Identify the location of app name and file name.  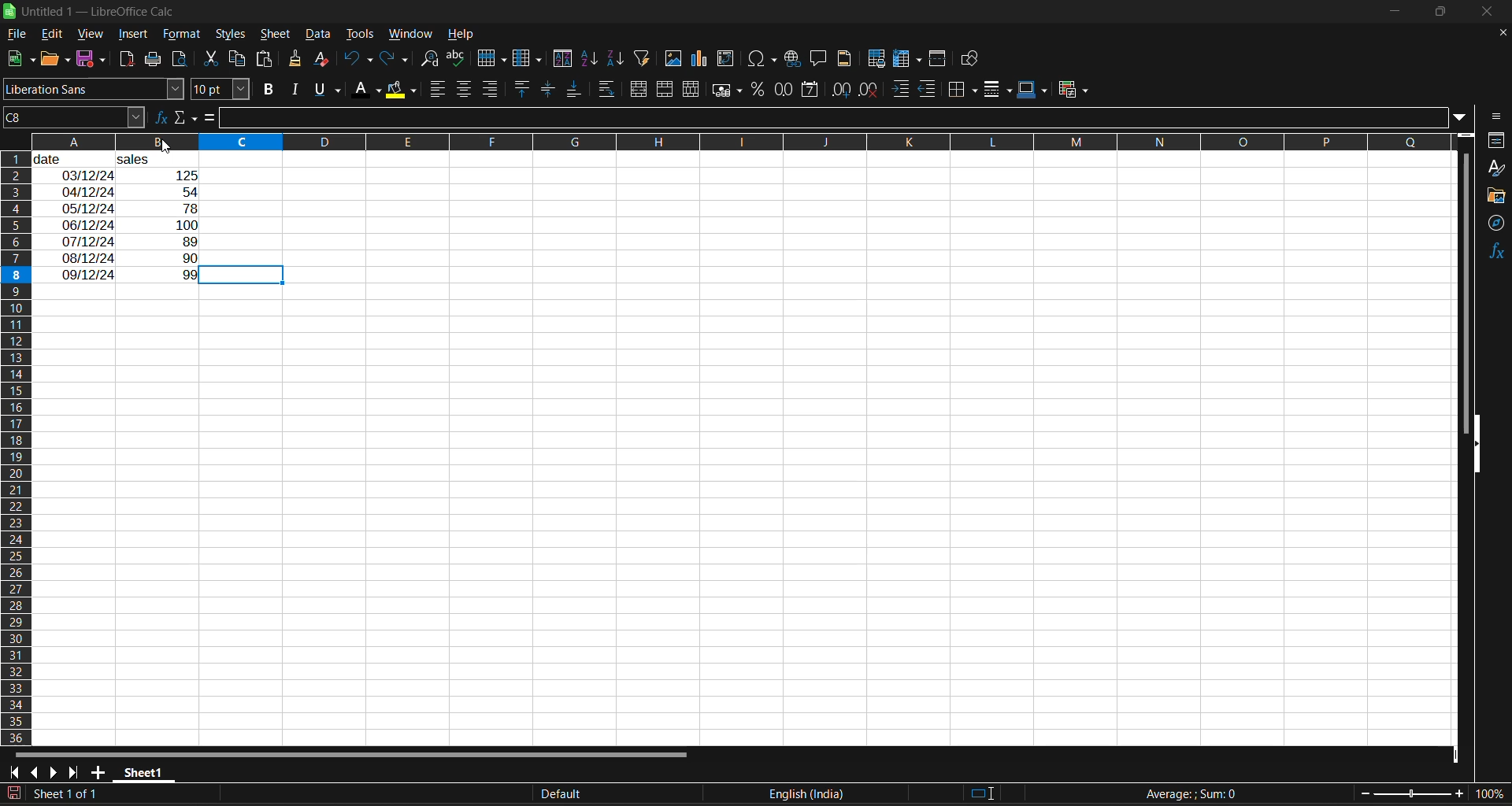
(101, 12).